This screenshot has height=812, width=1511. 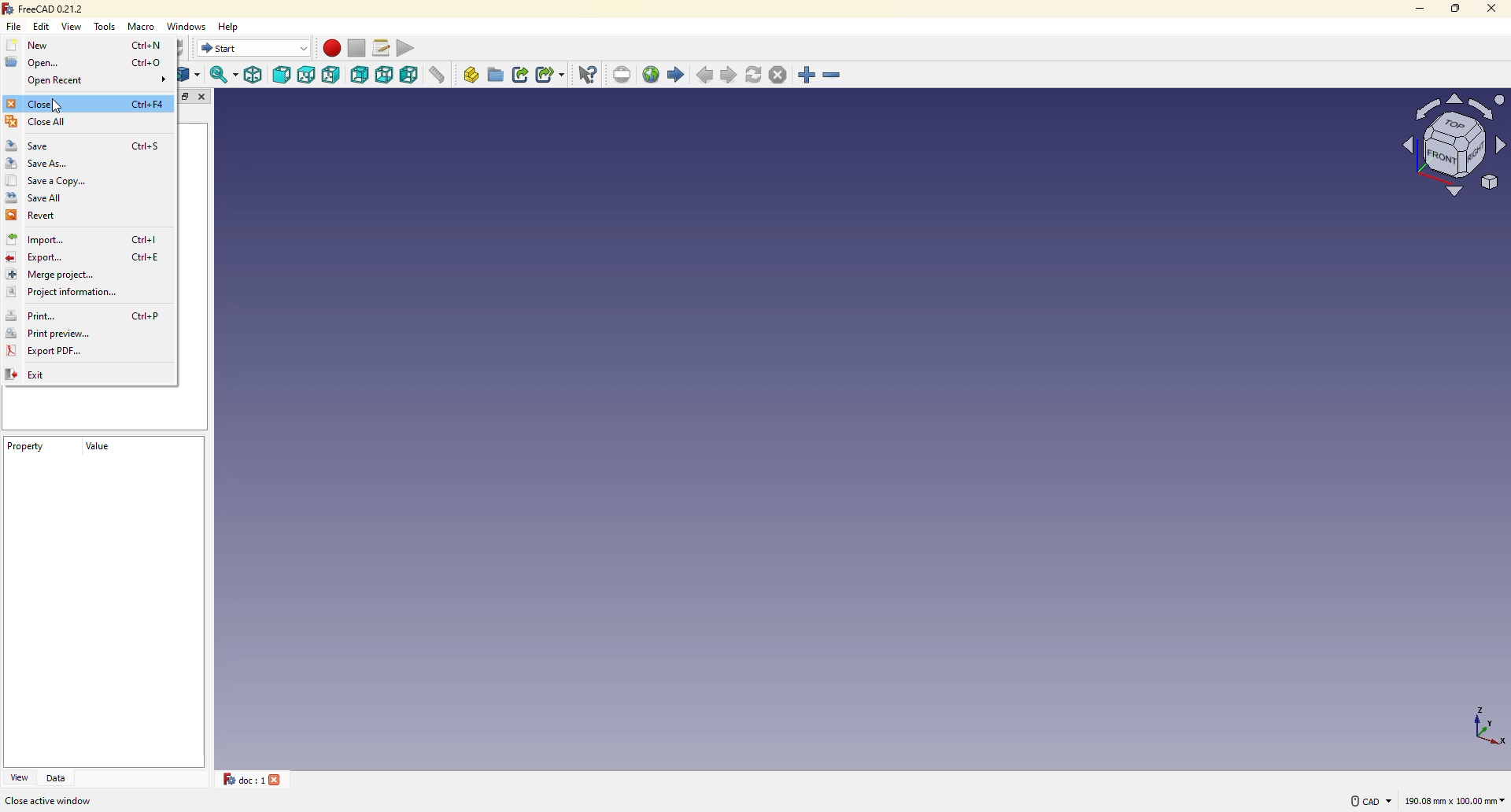 What do you see at coordinates (32, 376) in the screenshot?
I see `exit` at bounding box center [32, 376].